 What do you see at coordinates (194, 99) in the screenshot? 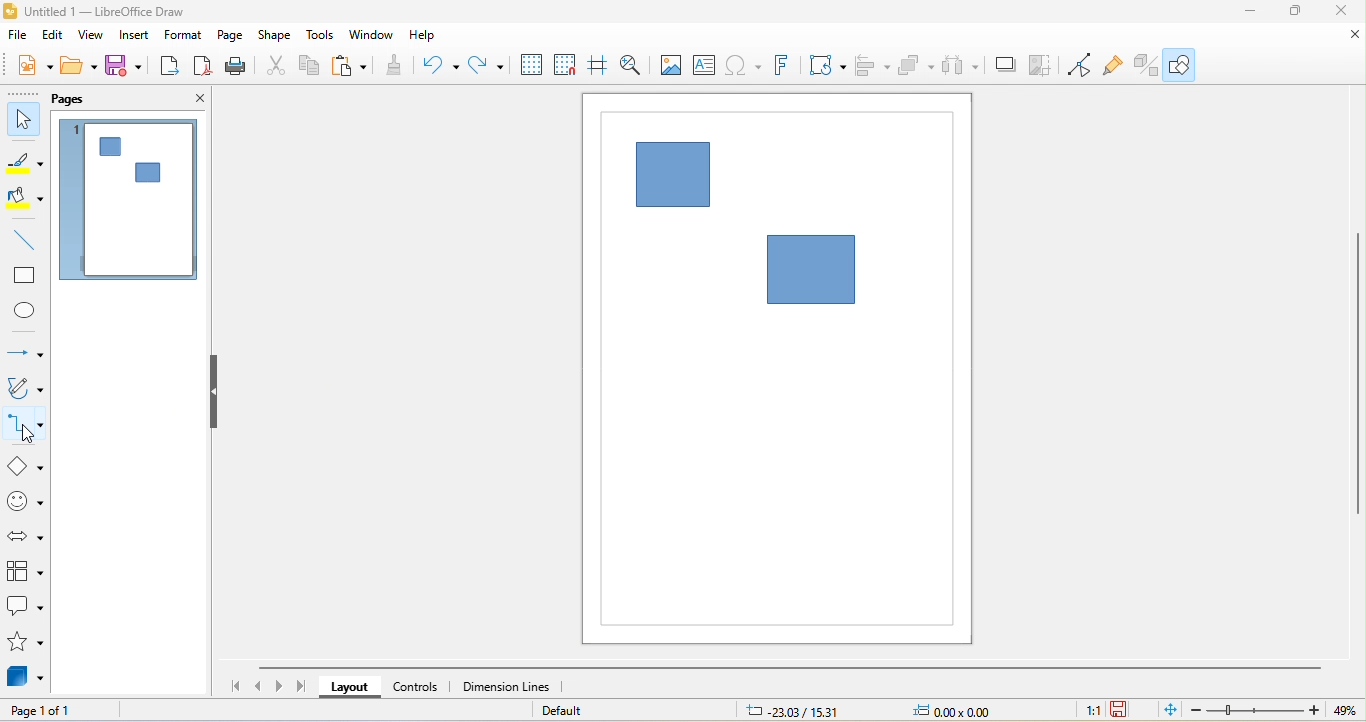
I see `close` at bounding box center [194, 99].